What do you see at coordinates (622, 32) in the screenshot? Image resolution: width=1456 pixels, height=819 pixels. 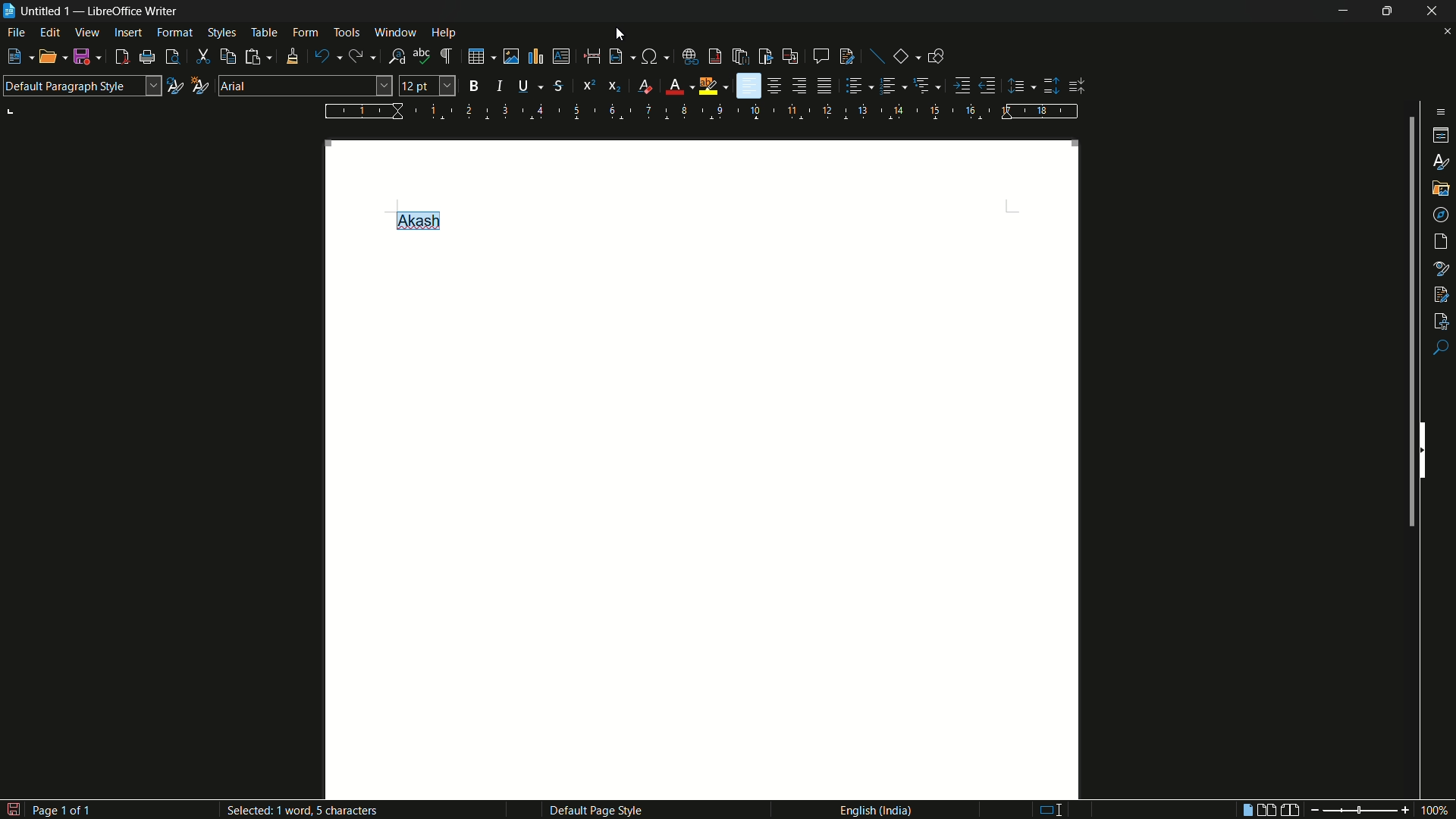 I see `cursor` at bounding box center [622, 32].